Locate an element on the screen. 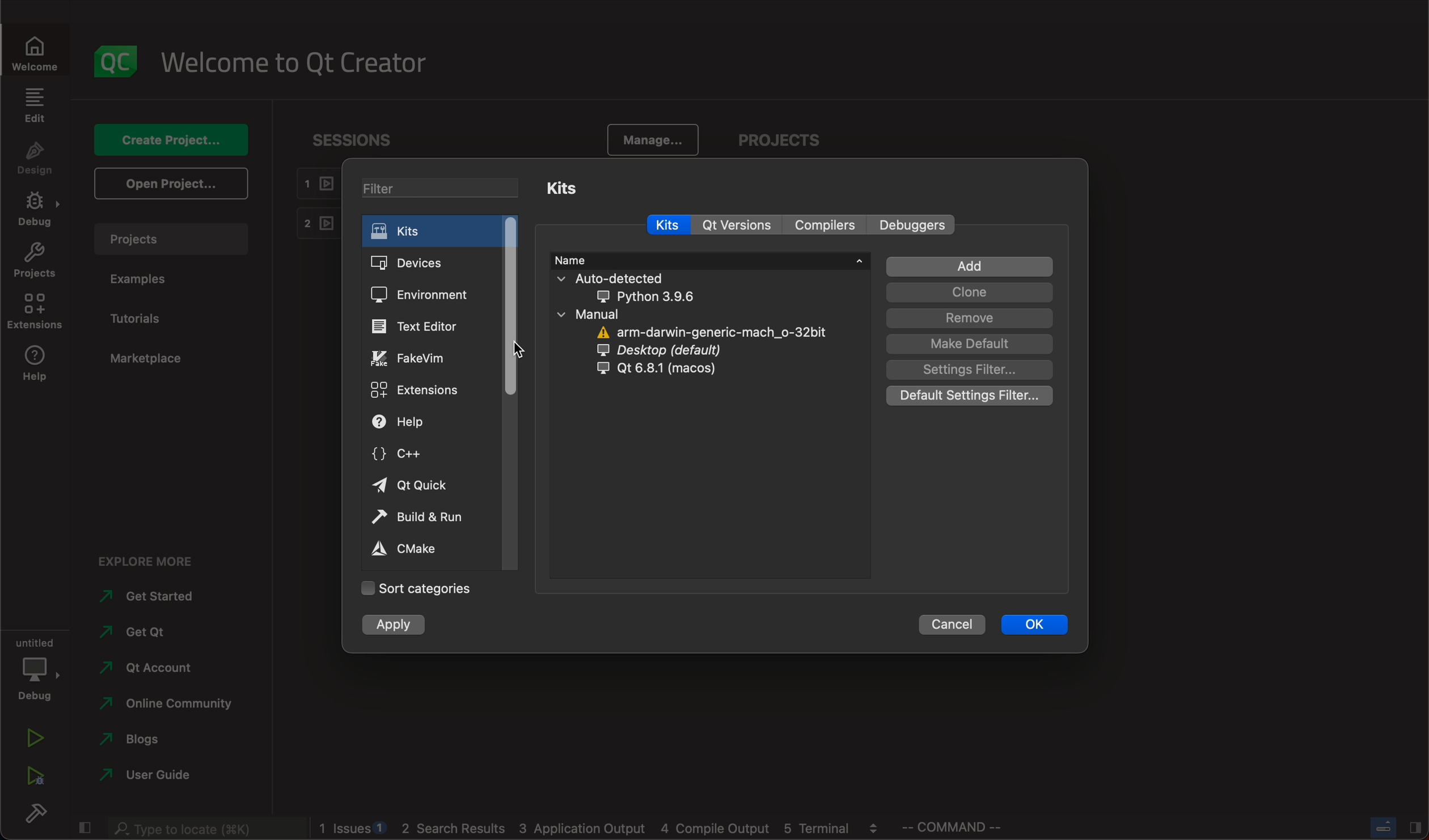 This screenshot has width=1429, height=840. environment is located at coordinates (427, 295).